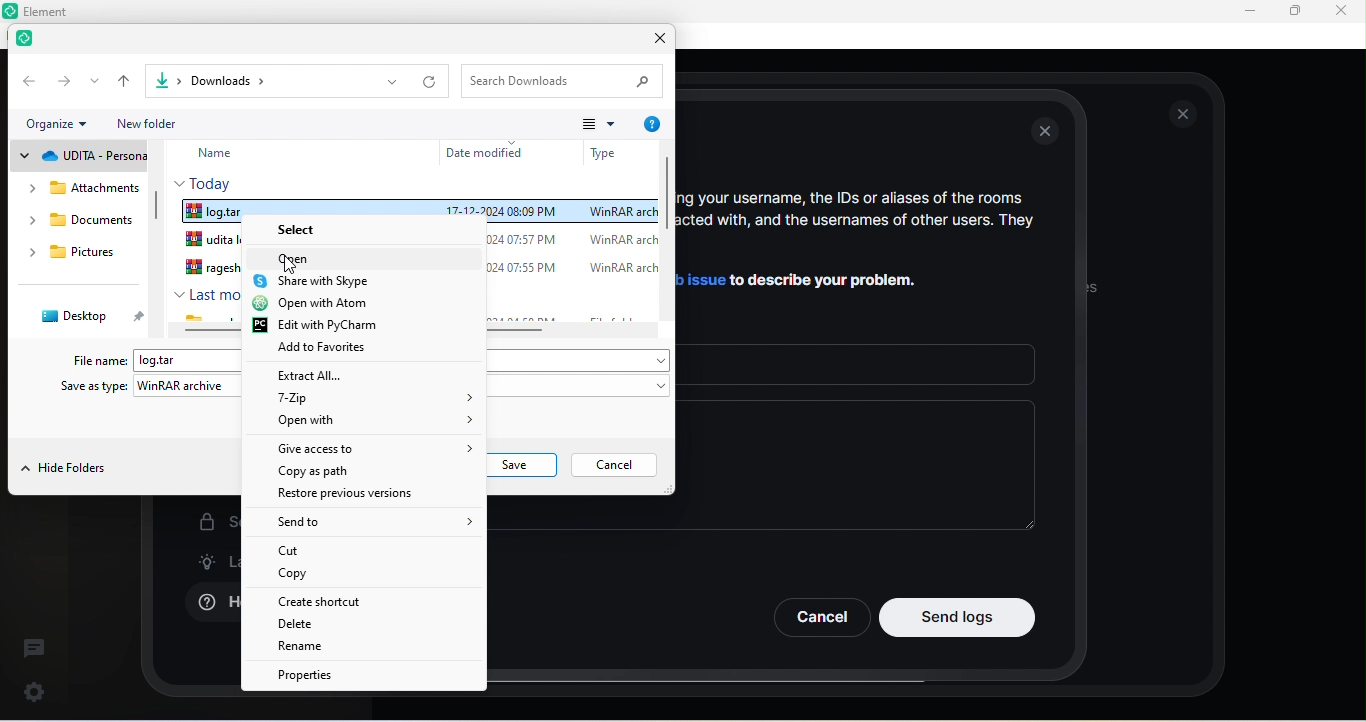 The image size is (1366, 722). I want to click on maximize, so click(1294, 12).